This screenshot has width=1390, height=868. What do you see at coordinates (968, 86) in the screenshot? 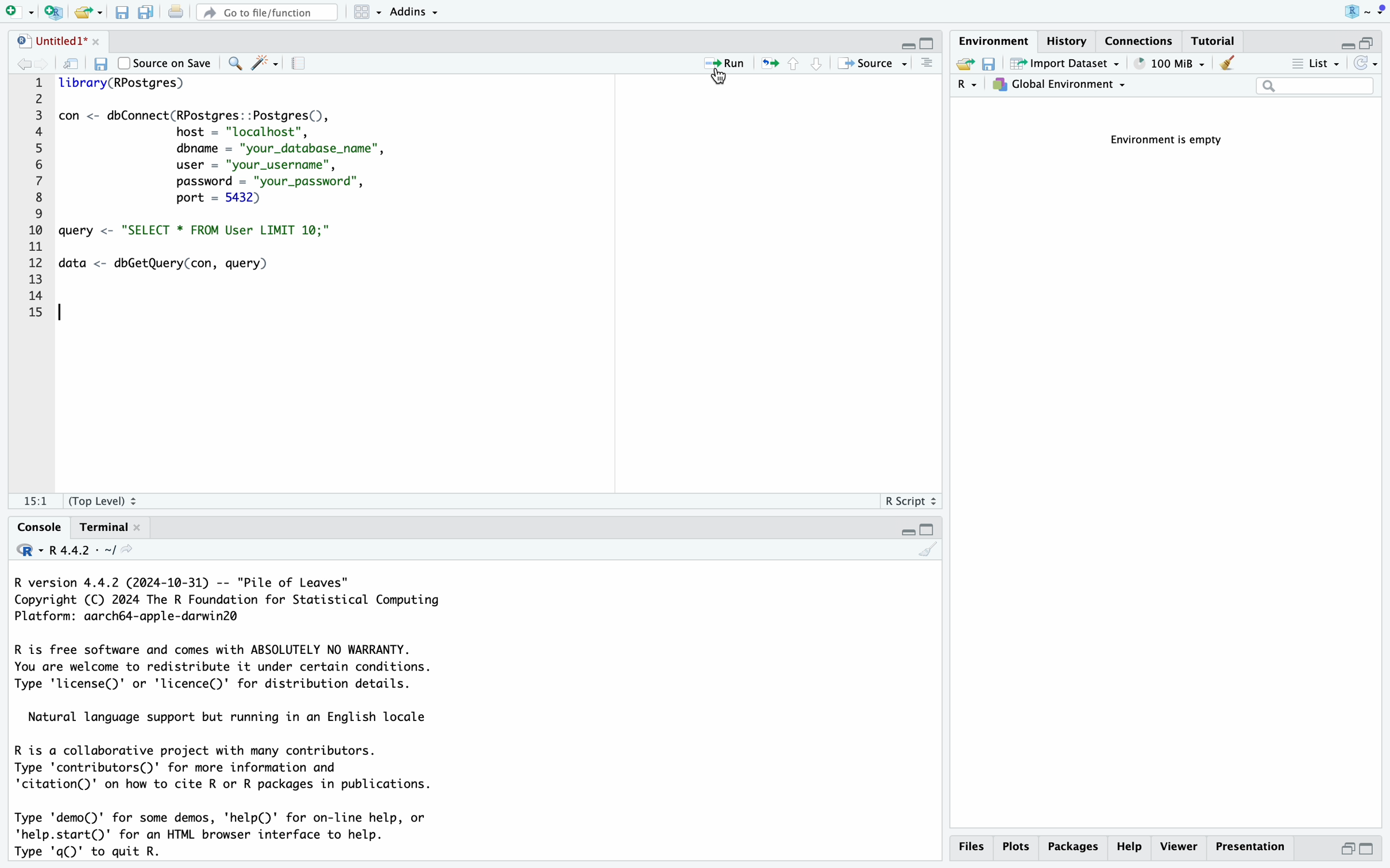
I see `language select` at bounding box center [968, 86].